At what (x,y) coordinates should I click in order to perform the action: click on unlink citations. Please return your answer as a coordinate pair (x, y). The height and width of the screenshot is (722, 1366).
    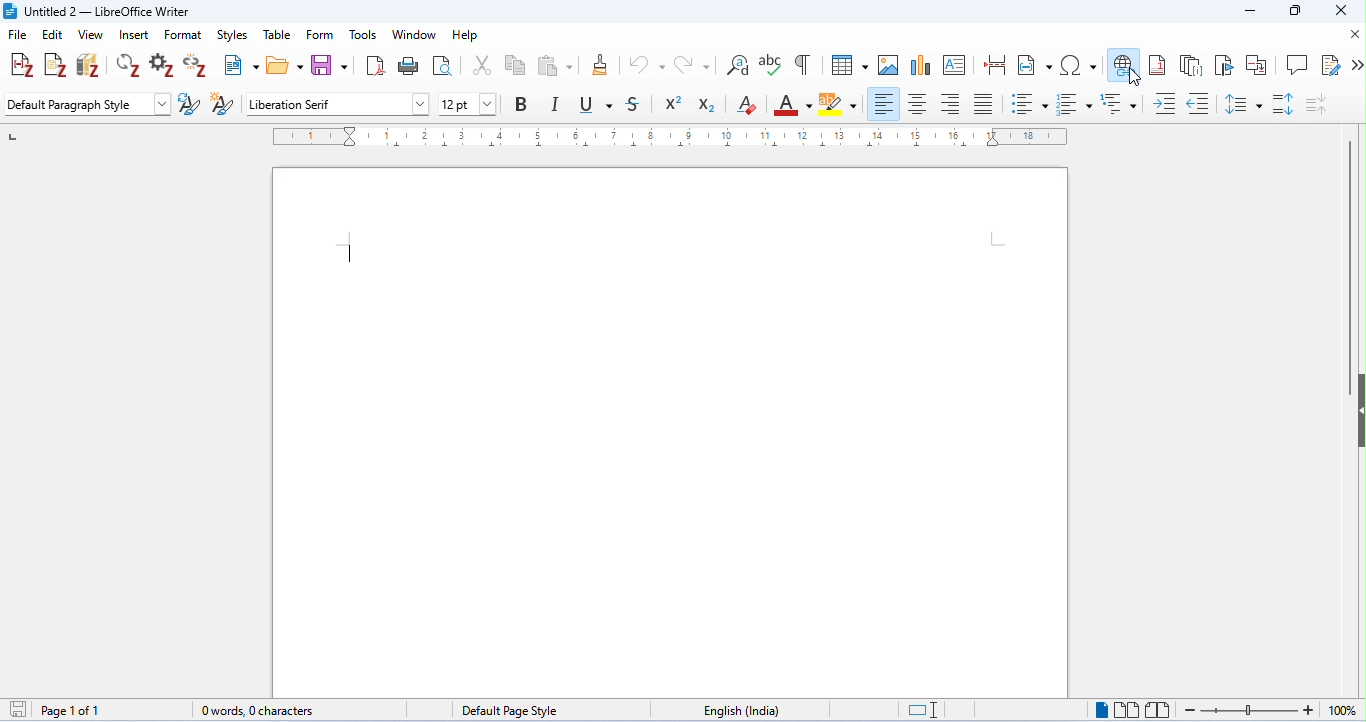
    Looking at the image, I should click on (195, 67).